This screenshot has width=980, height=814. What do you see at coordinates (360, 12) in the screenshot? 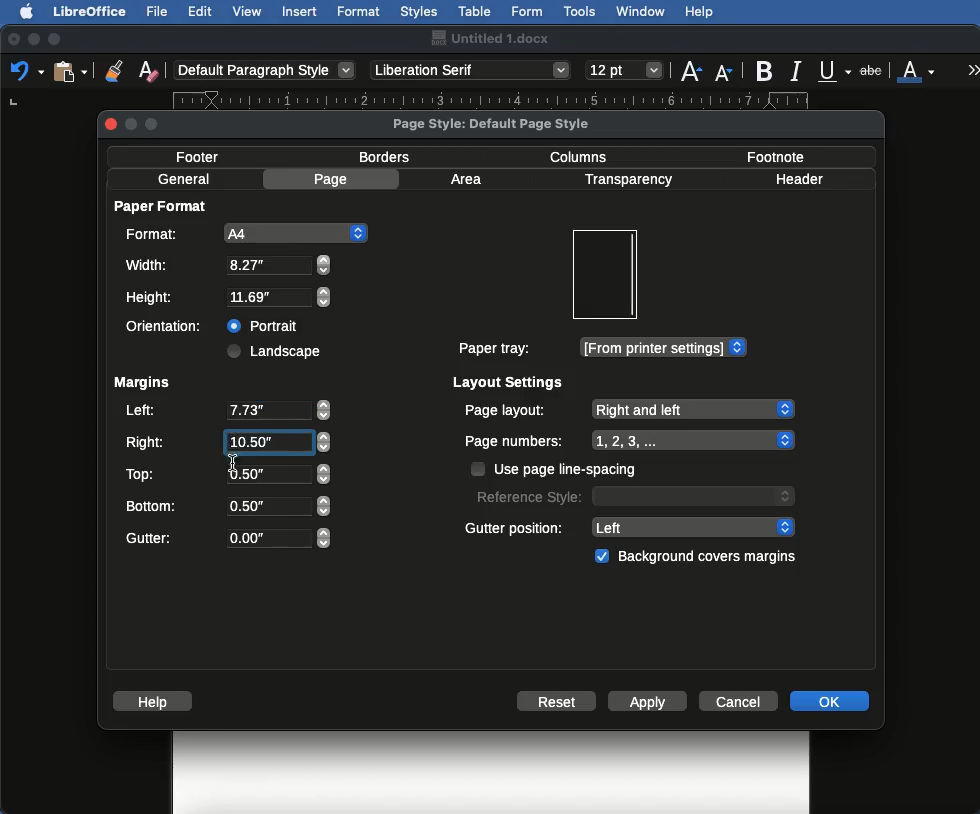
I see `Format` at bounding box center [360, 12].